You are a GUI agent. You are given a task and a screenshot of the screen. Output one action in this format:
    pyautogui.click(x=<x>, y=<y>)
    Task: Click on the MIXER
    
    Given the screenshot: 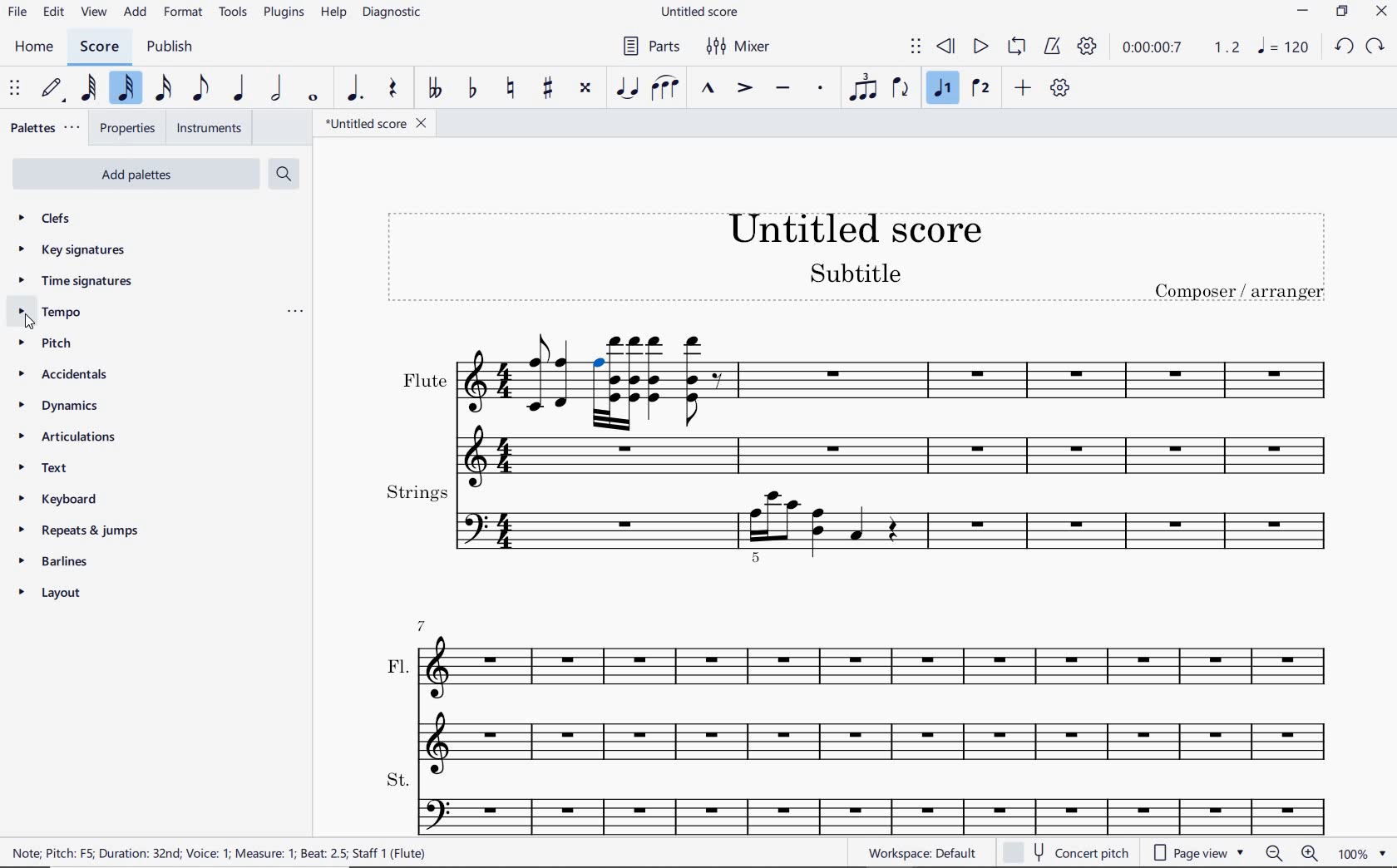 What is the action you would take?
    pyautogui.click(x=744, y=49)
    